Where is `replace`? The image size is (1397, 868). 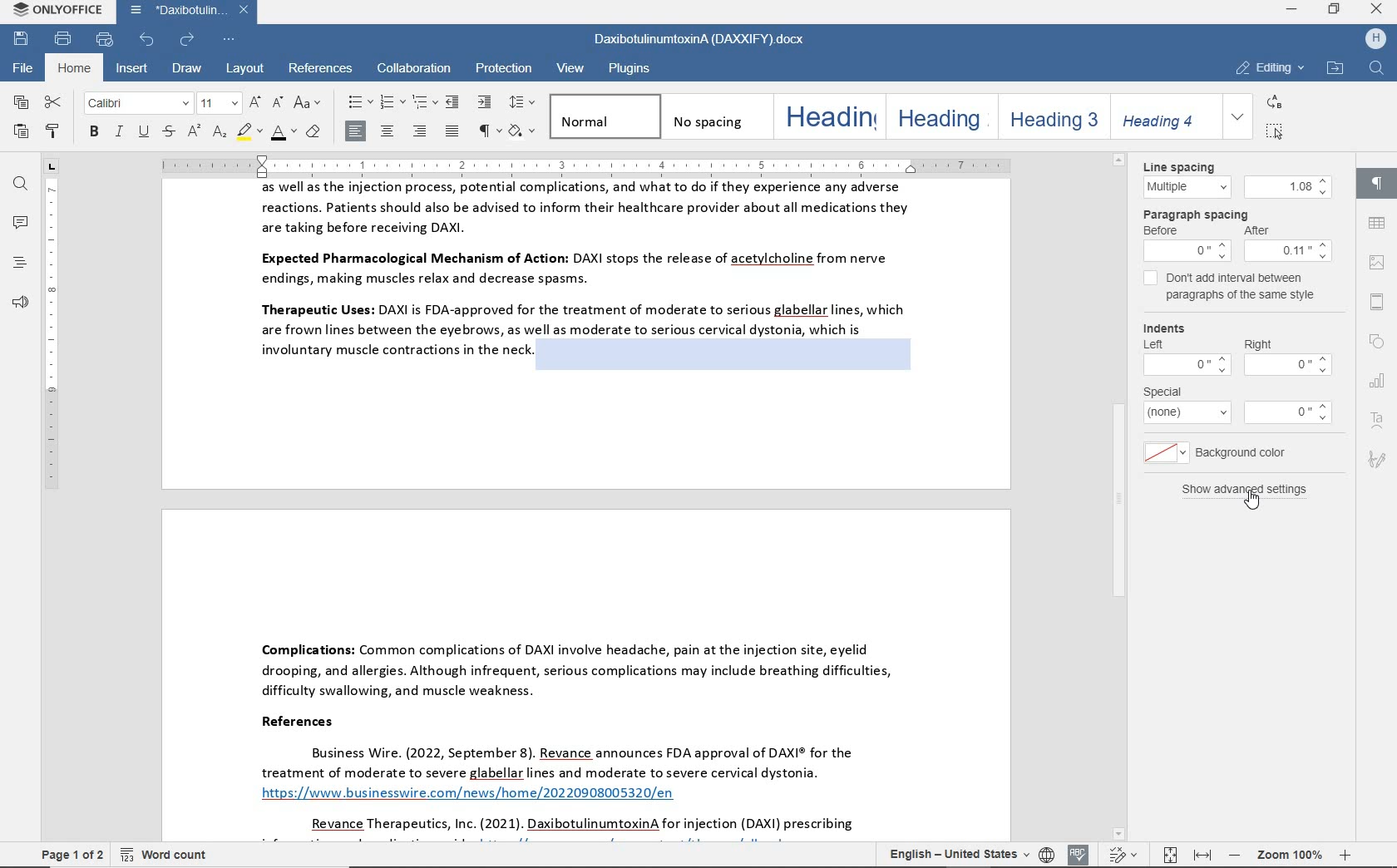 replace is located at coordinates (1272, 101).